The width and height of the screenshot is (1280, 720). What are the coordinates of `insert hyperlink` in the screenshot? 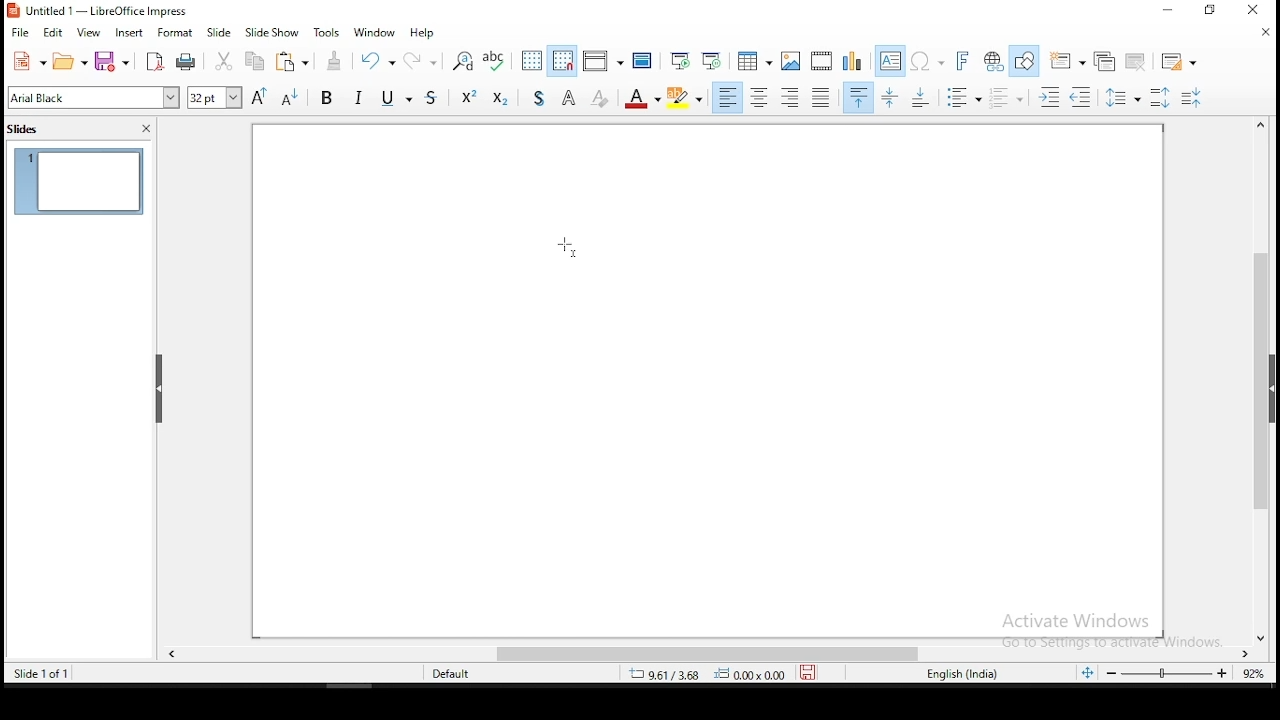 It's located at (991, 59).